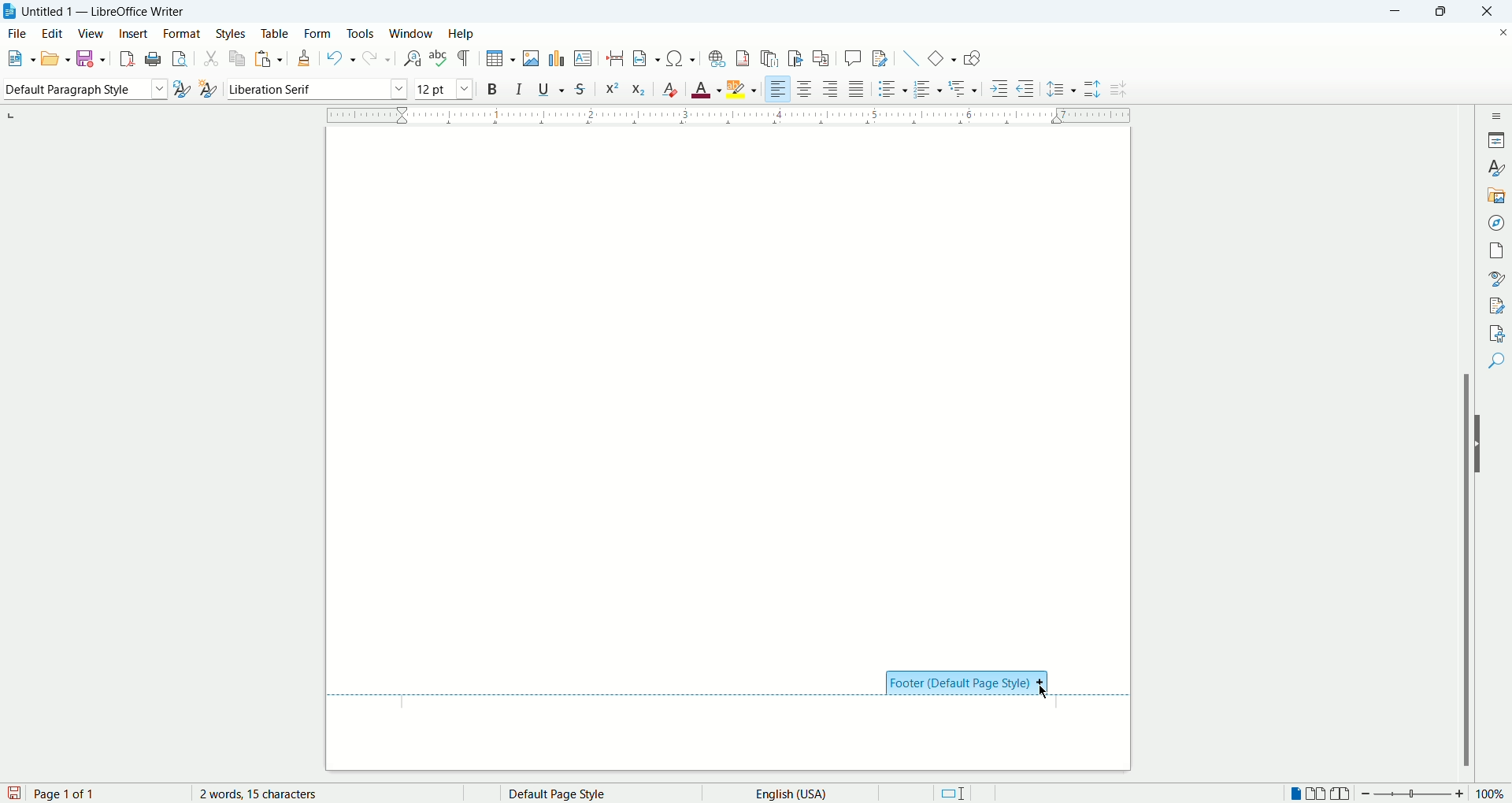 The width and height of the screenshot is (1512, 803). I want to click on styles, so click(233, 33).